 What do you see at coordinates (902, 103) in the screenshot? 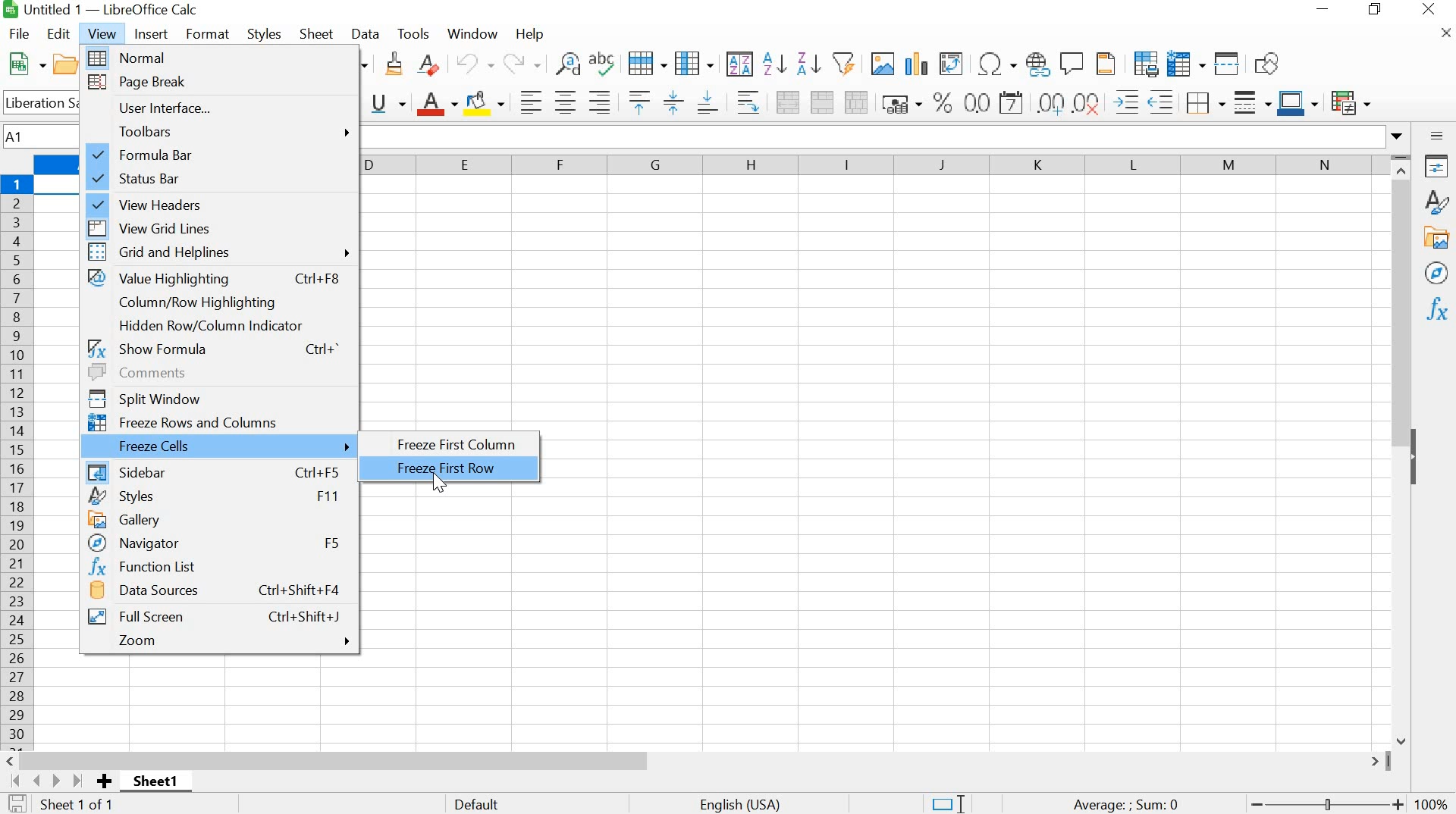
I see `FORMAT AS CURRENCY` at bounding box center [902, 103].